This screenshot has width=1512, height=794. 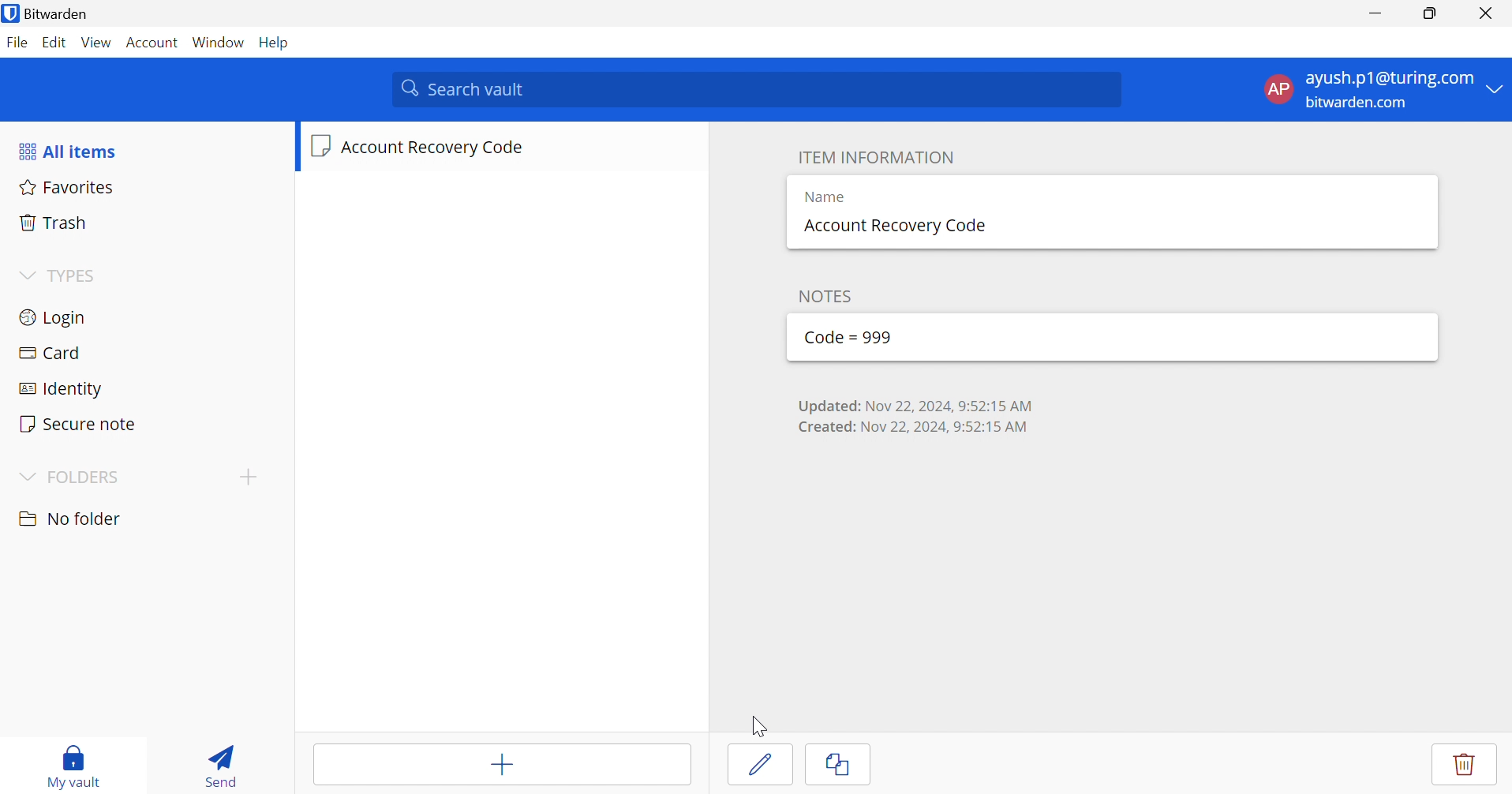 What do you see at coordinates (51, 320) in the screenshot?
I see `Login` at bounding box center [51, 320].